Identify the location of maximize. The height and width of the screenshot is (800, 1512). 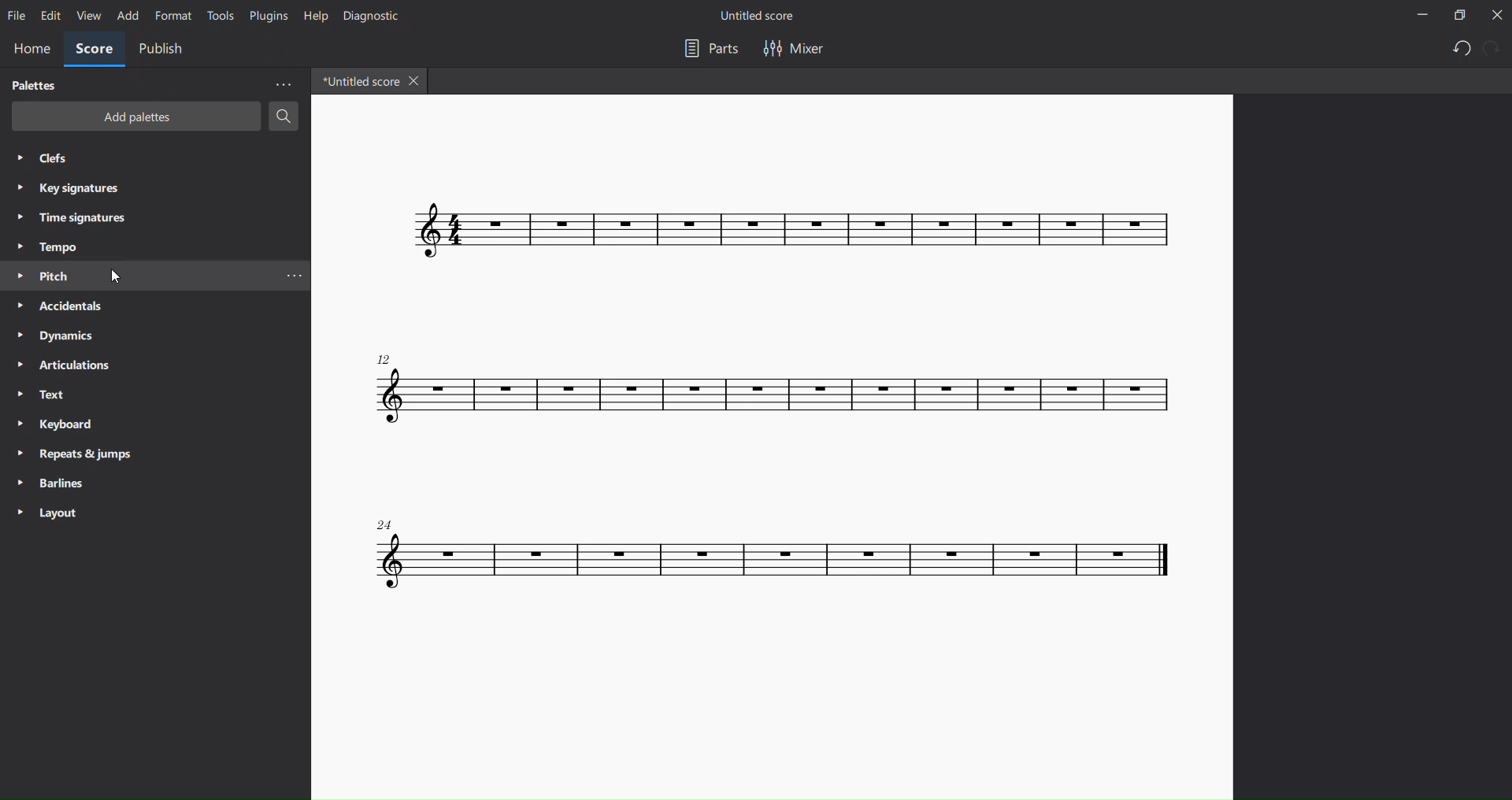
(1455, 15).